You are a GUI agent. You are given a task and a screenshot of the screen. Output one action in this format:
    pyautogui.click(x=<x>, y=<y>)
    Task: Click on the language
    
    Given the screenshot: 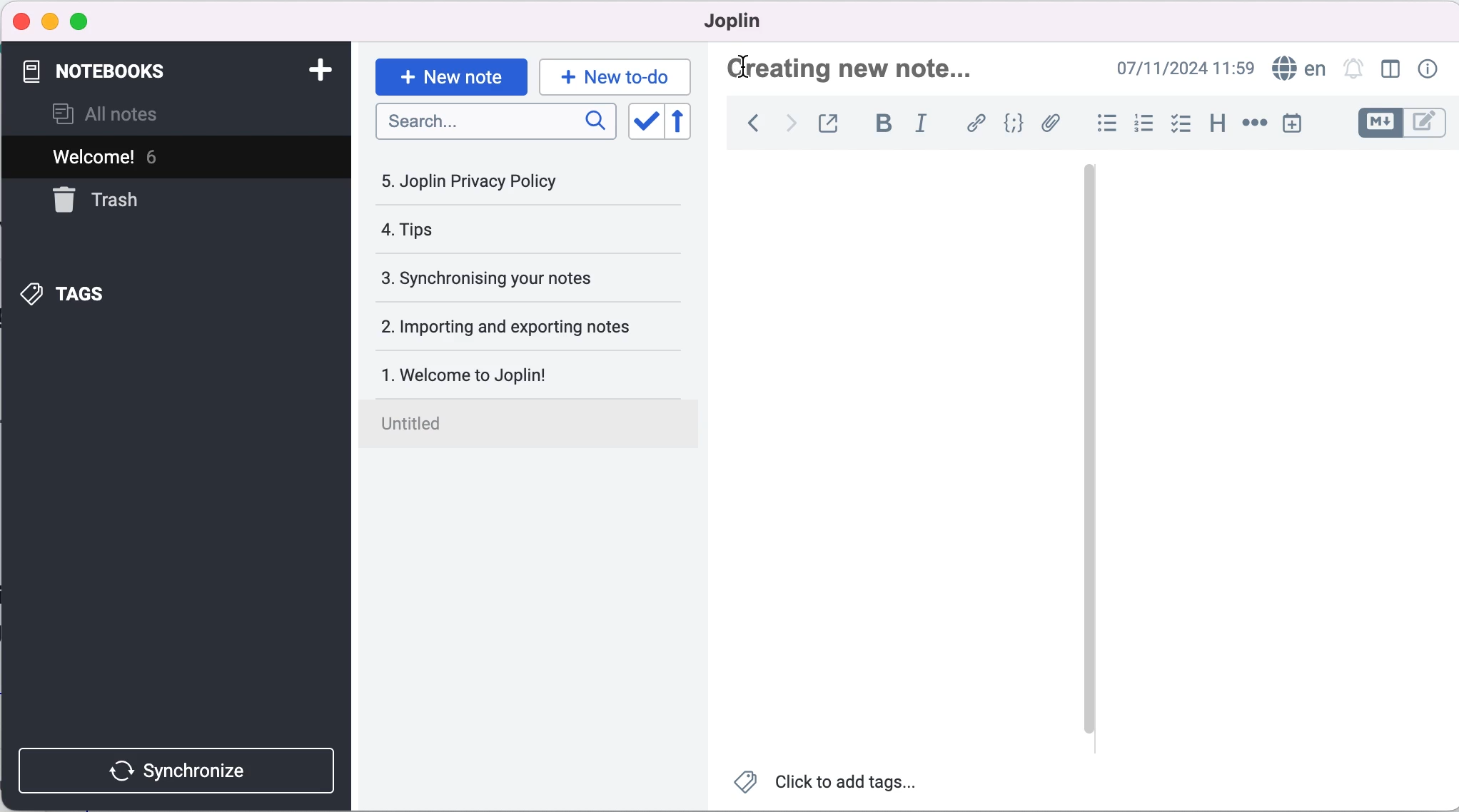 What is the action you would take?
    pyautogui.click(x=1298, y=69)
    